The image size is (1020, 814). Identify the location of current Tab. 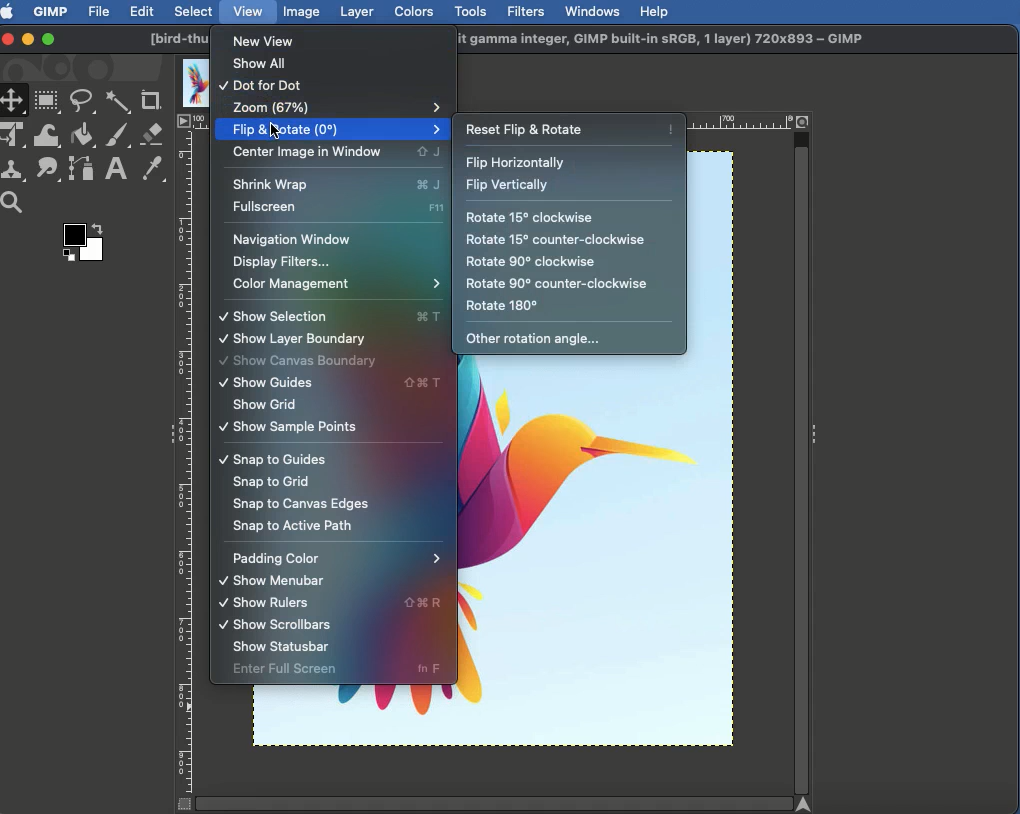
(191, 81).